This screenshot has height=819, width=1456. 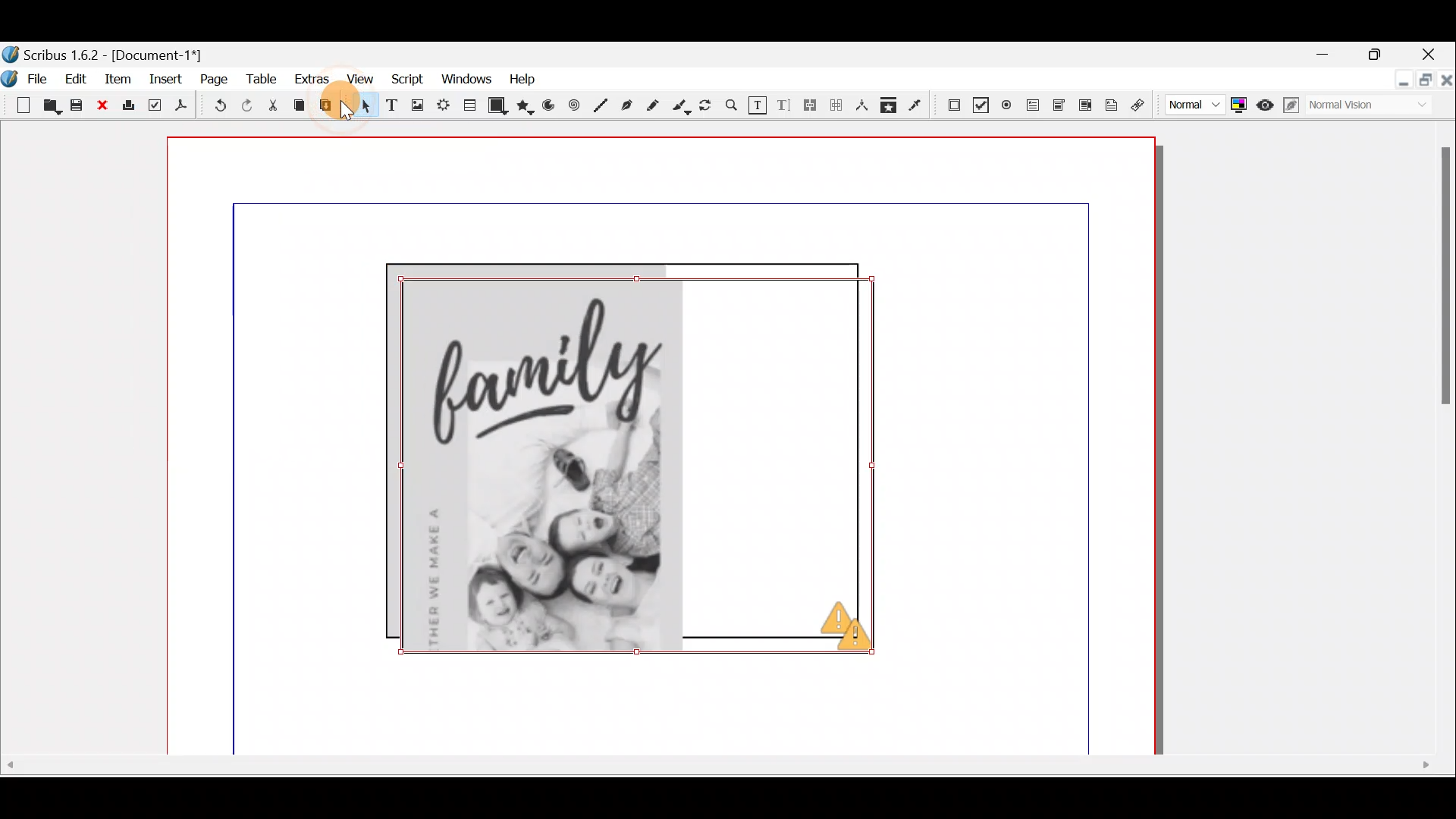 I want to click on PDF combo box, so click(x=1056, y=106).